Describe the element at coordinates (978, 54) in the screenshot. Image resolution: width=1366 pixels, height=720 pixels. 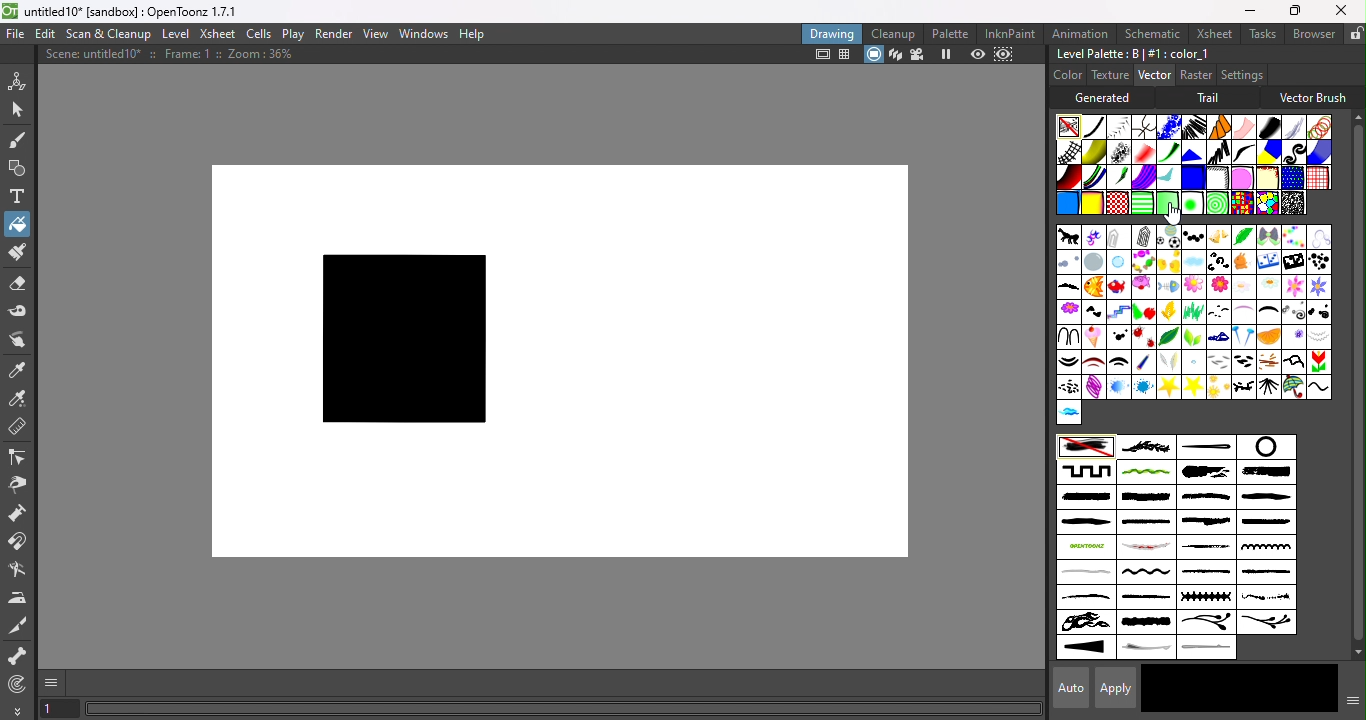
I see `Preview` at that location.